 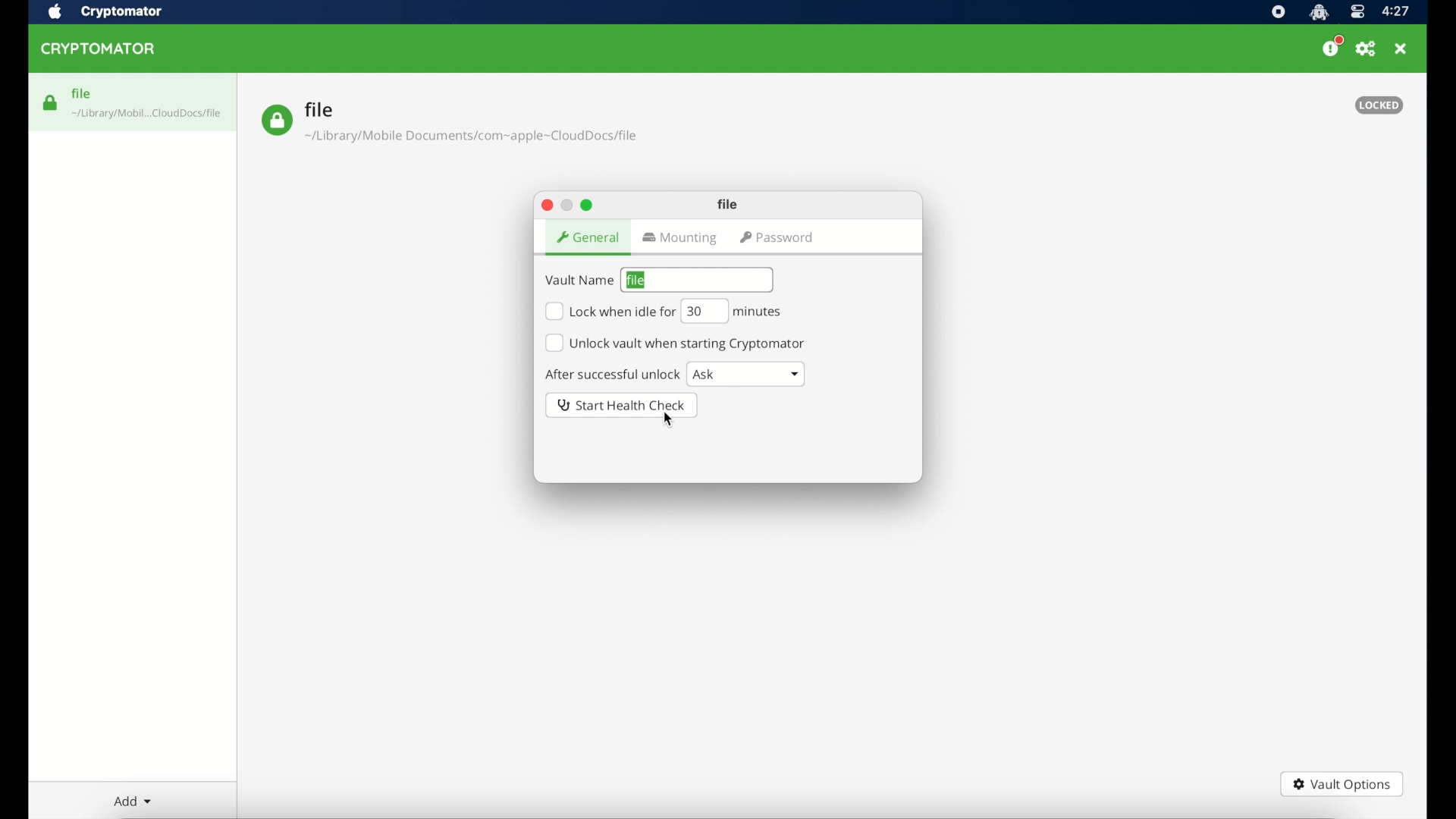 What do you see at coordinates (730, 204) in the screenshot?
I see `file` at bounding box center [730, 204].